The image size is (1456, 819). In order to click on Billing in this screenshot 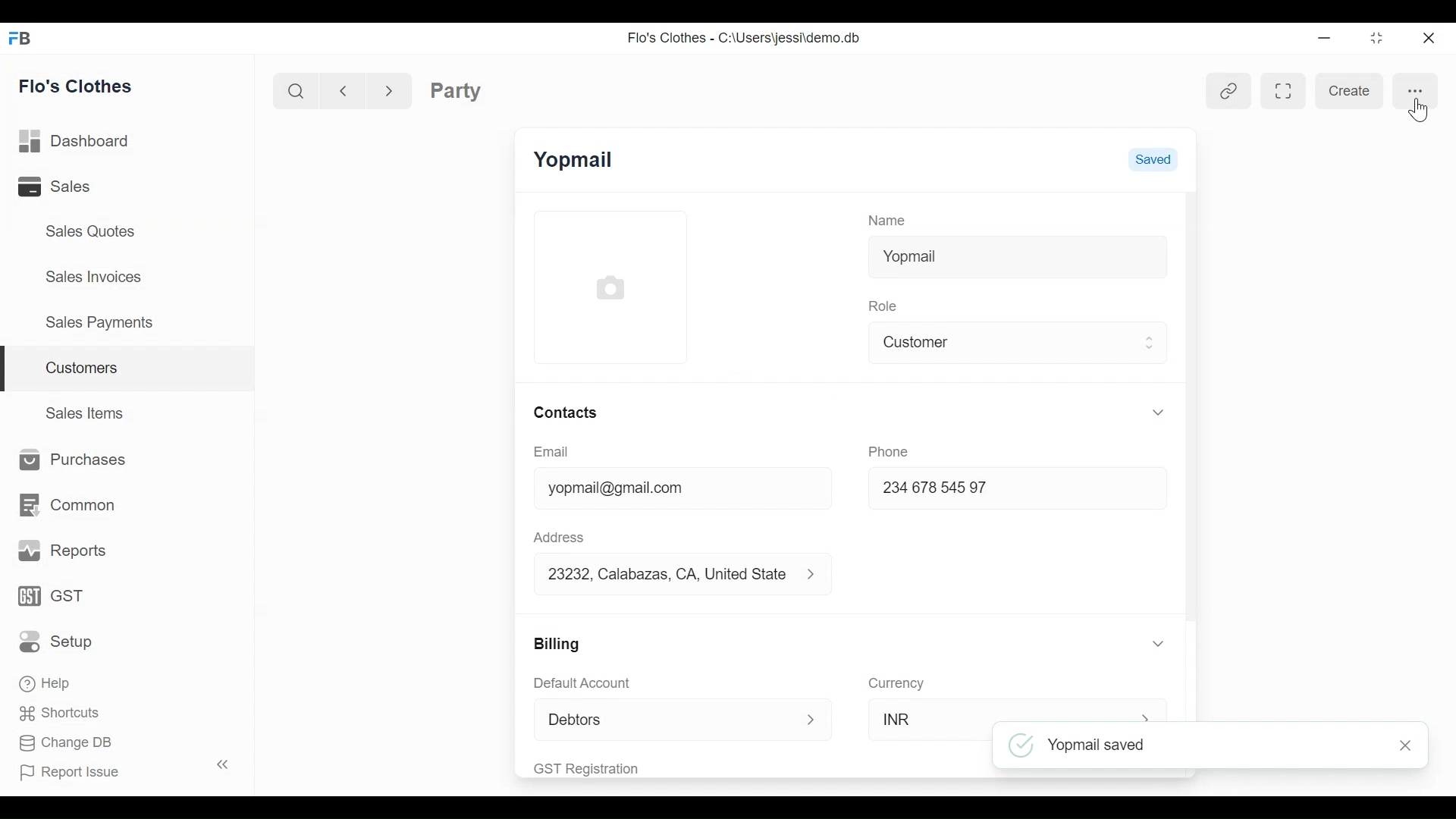, I will do `click(558, 644)`.